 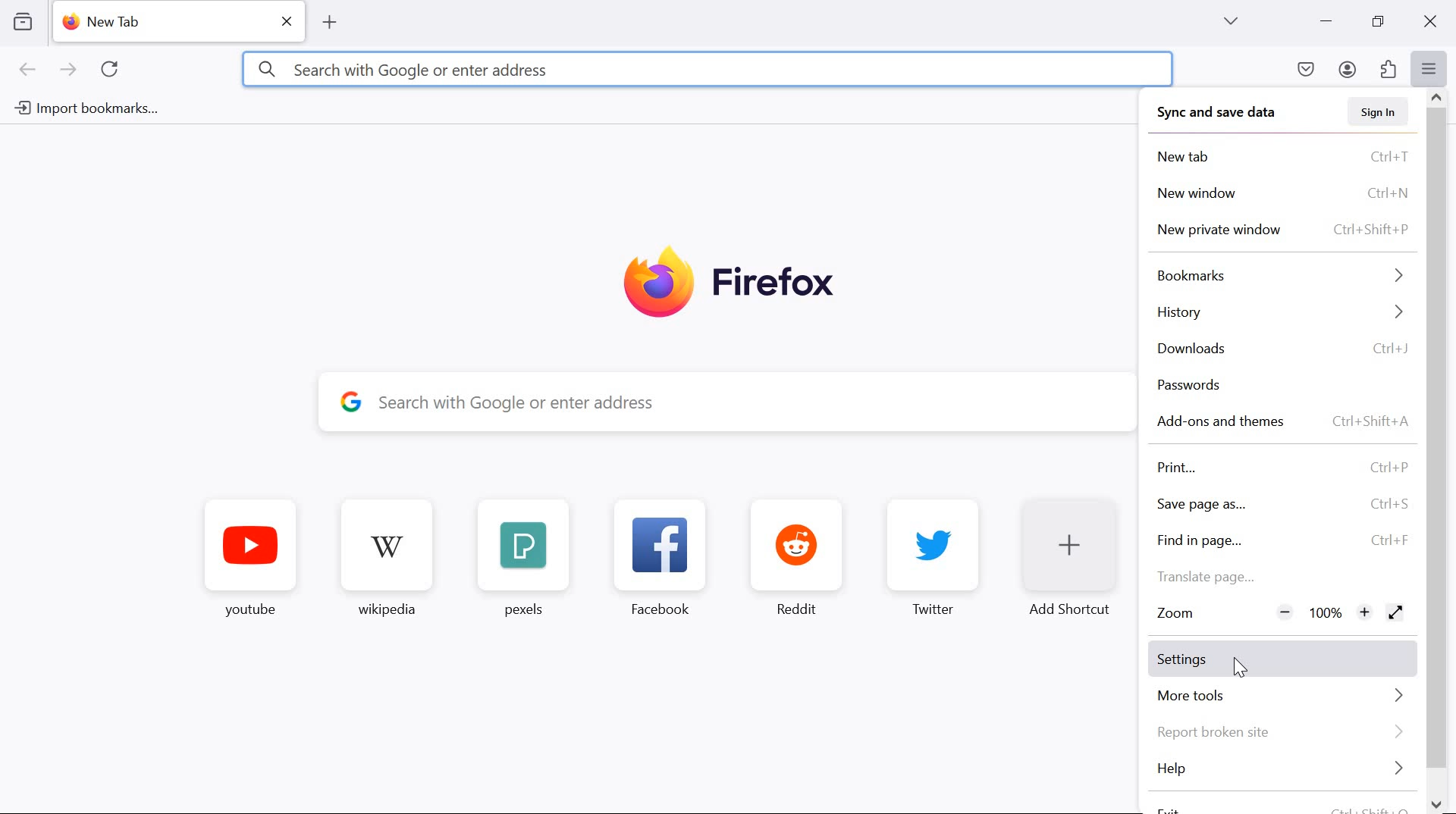 I want to click on Facebook, so click(x=658, y=554).